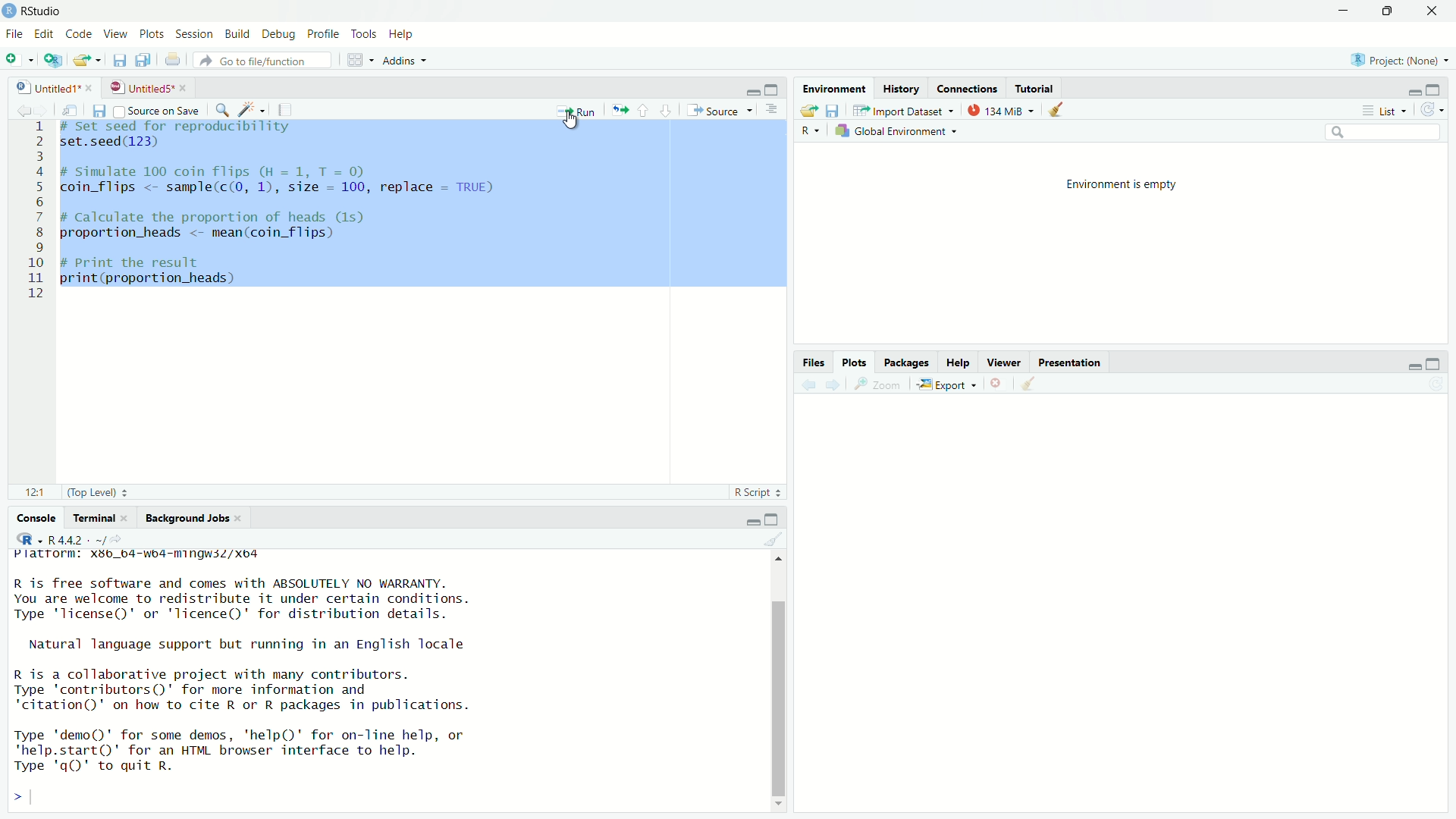 The width and height of the screenshot is (1456, 819). Describe the element at coordinates (357, 61) in the screenshot. I see `workspace panes` at that location.